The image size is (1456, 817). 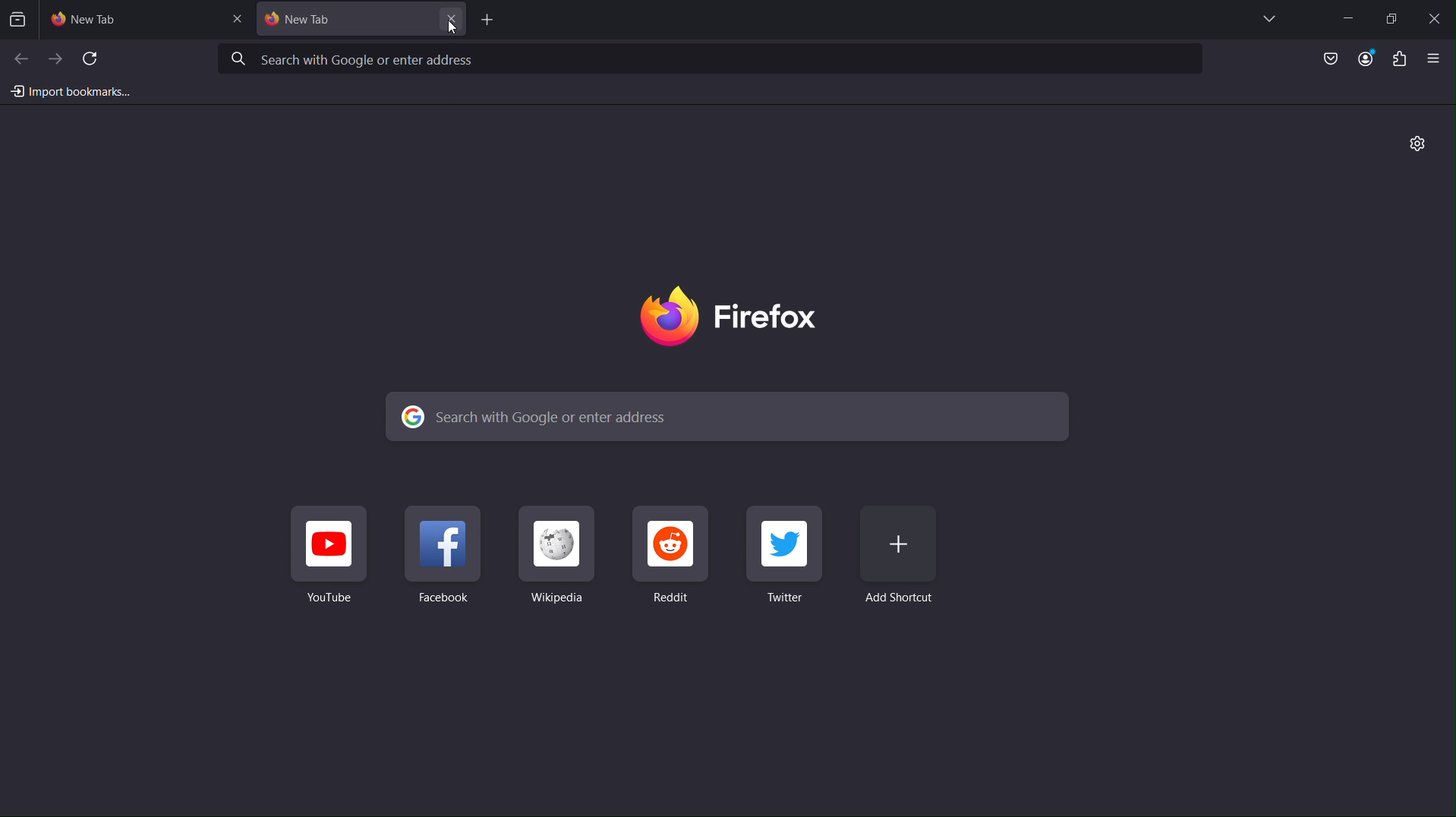 I want to click on New Tab, so click(x=144, y=20).